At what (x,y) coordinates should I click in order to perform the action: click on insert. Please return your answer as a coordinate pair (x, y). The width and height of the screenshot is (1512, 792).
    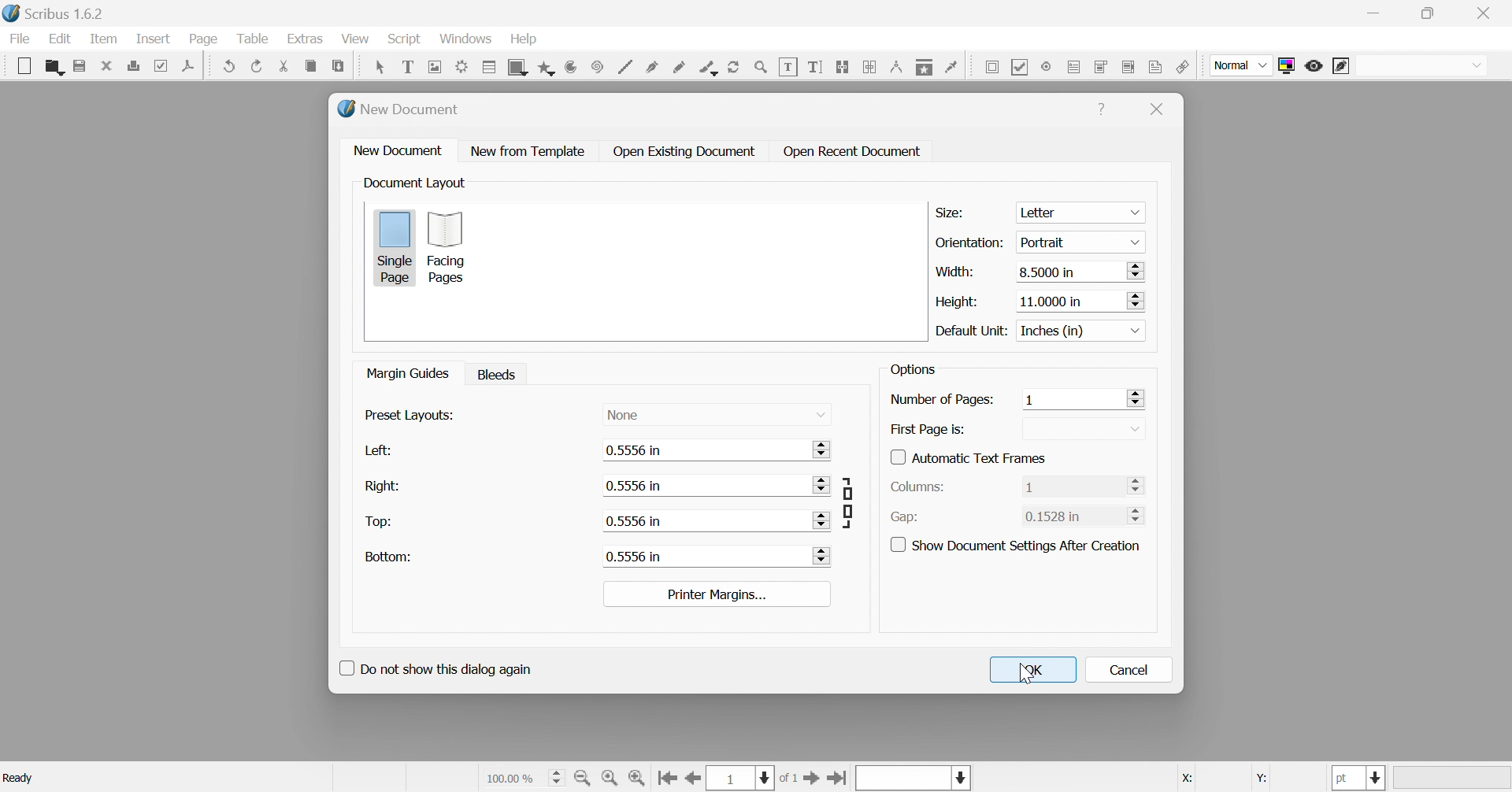
    Looking at the image, I should click on (153, 39).